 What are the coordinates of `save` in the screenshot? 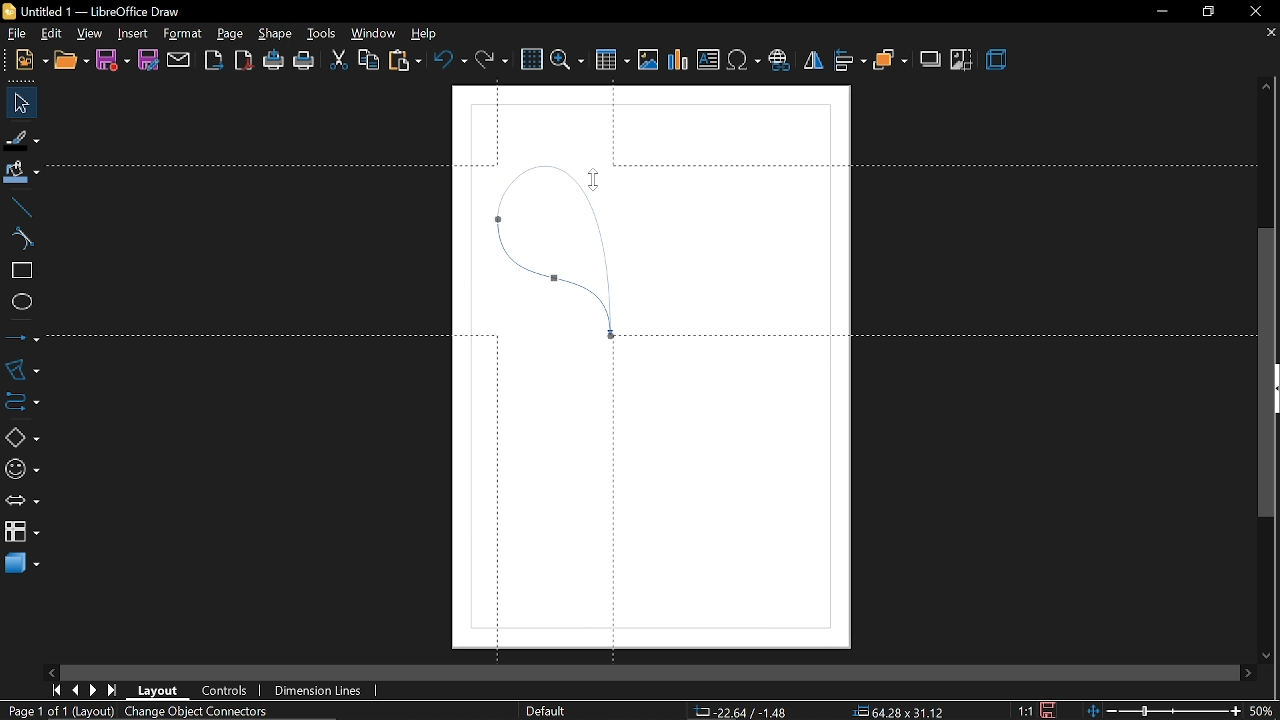 It's located at (113, 61).